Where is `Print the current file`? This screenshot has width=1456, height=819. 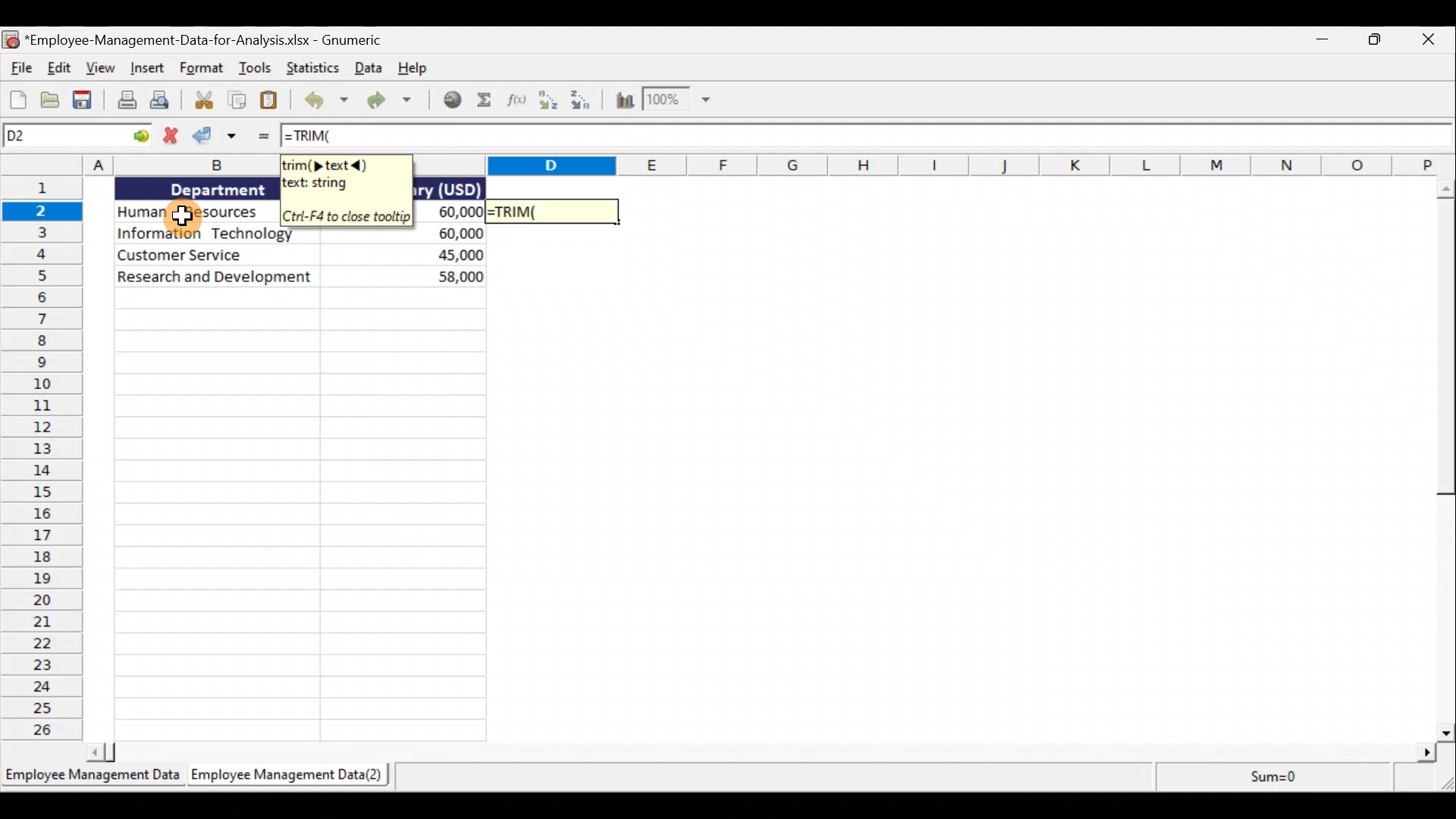 Print the current file is located at coordinates (123, 102).